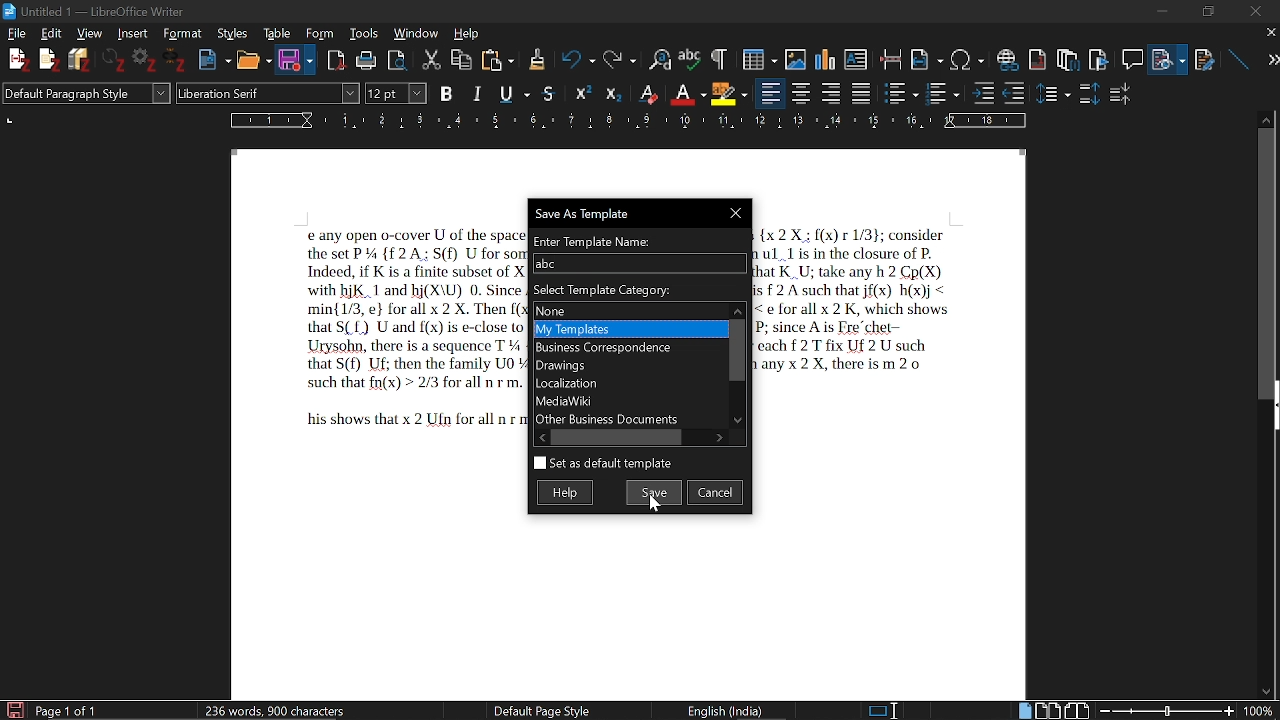 This screenshot has width=1280, height=720. What do you see at coordinates (716, 491) in the screenshot?
I see `Cancel` at bounding box center [716, 491].